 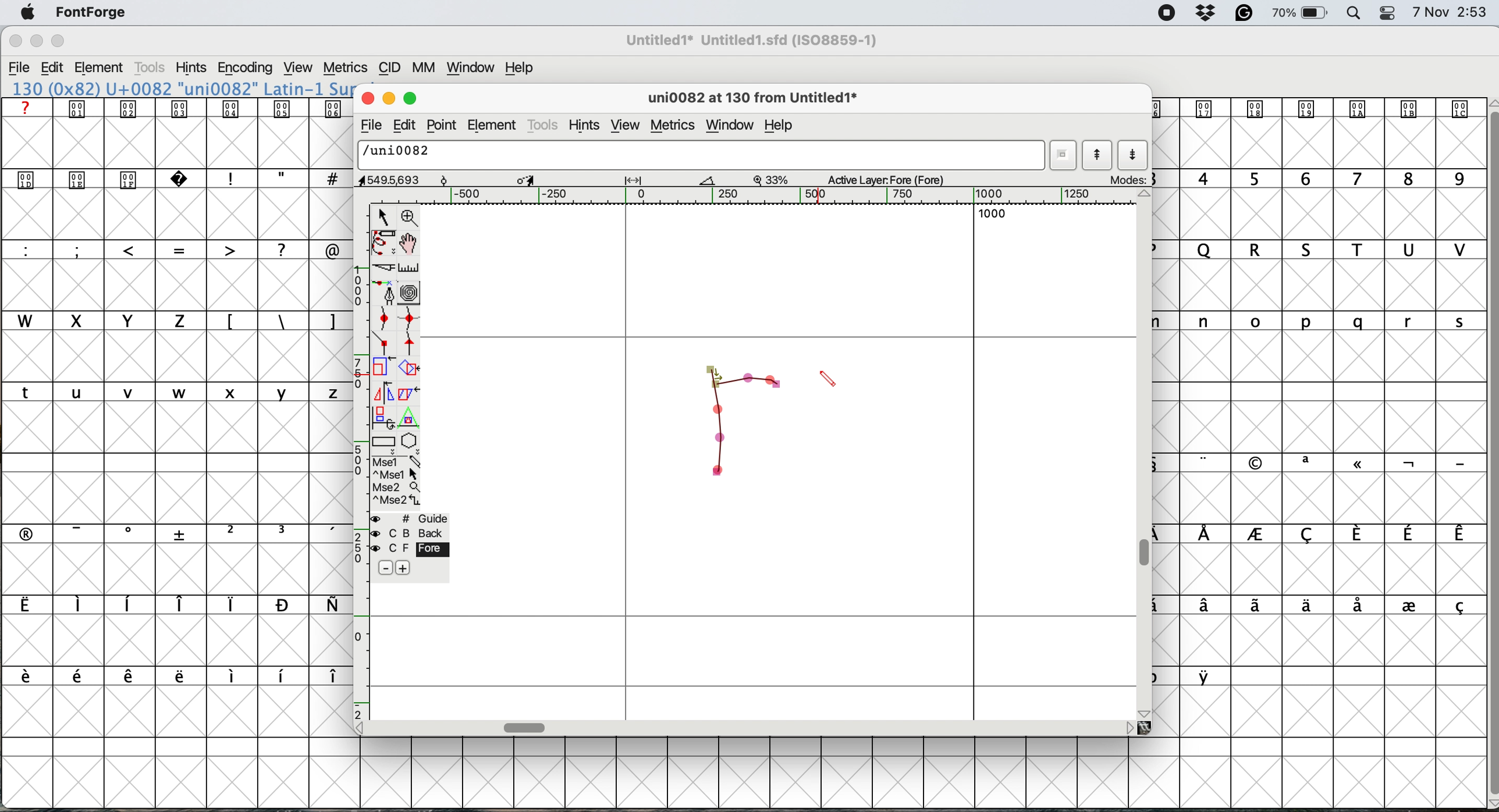 What do you see at coordinates (1310, 462) in the screenshot?
I see `special characters` at bounding box center [1310, 462].